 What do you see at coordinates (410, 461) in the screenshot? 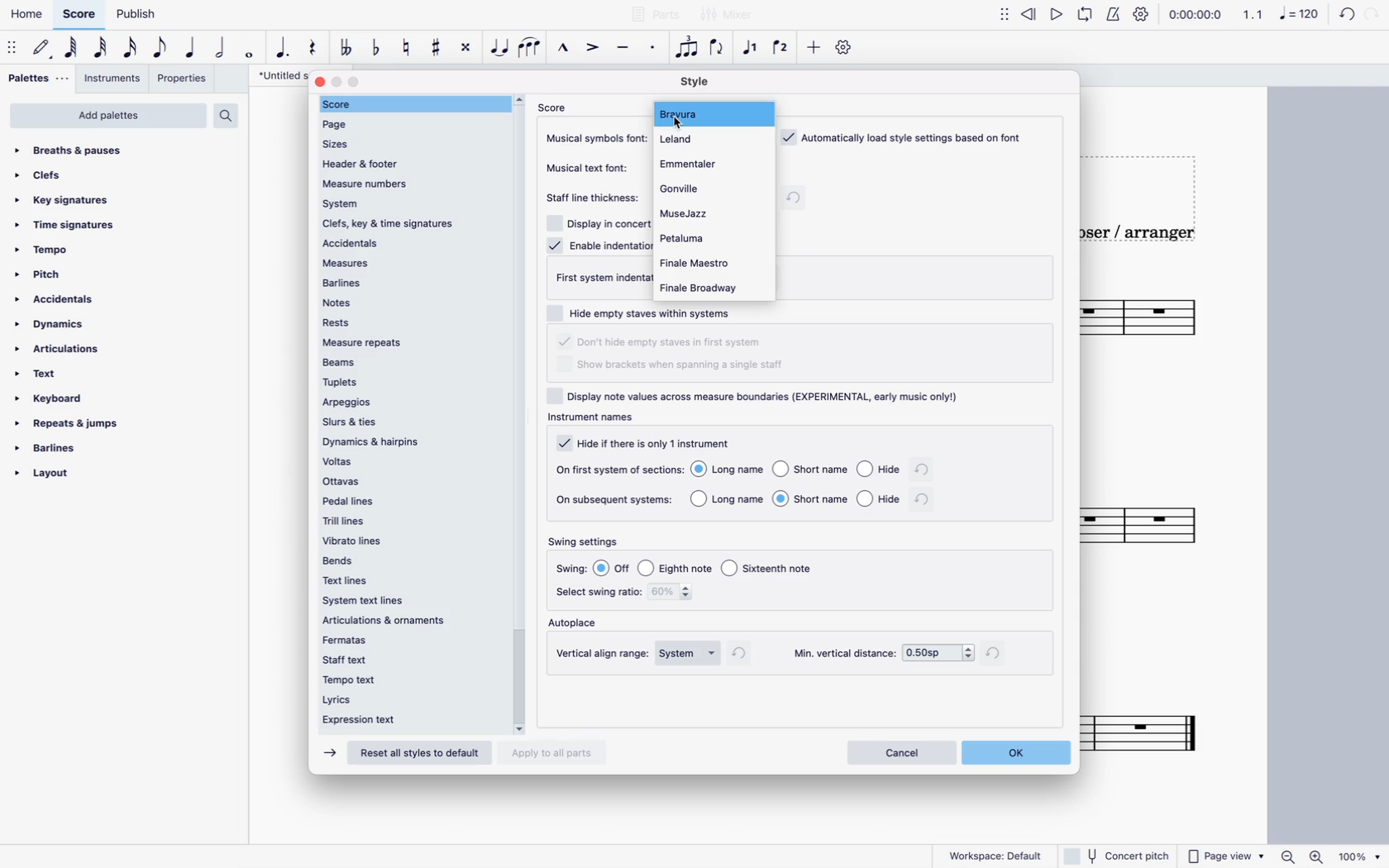
I see `voltas` at bounding box center [410, 461].